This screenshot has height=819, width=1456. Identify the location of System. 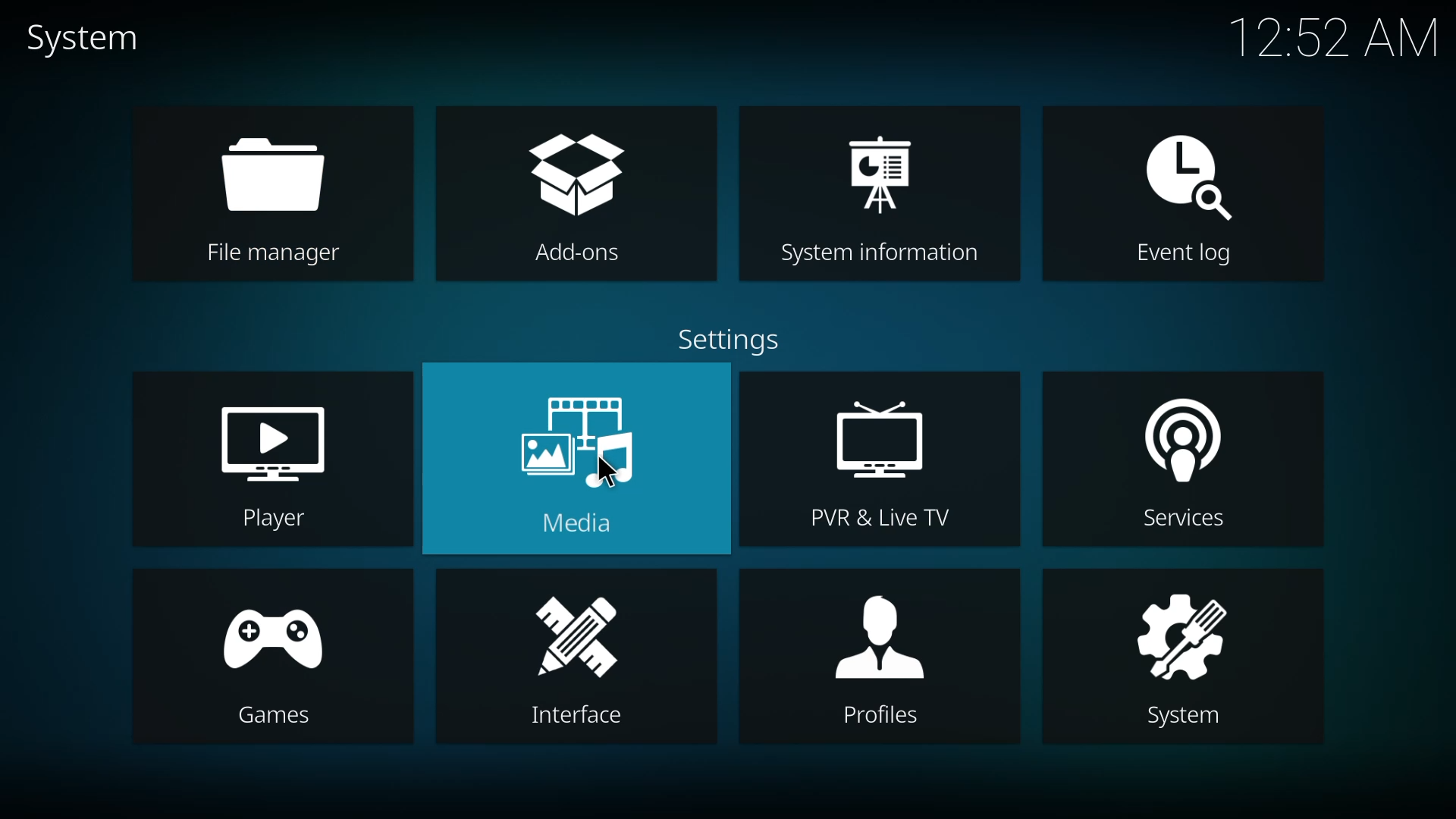
(1168, 717).